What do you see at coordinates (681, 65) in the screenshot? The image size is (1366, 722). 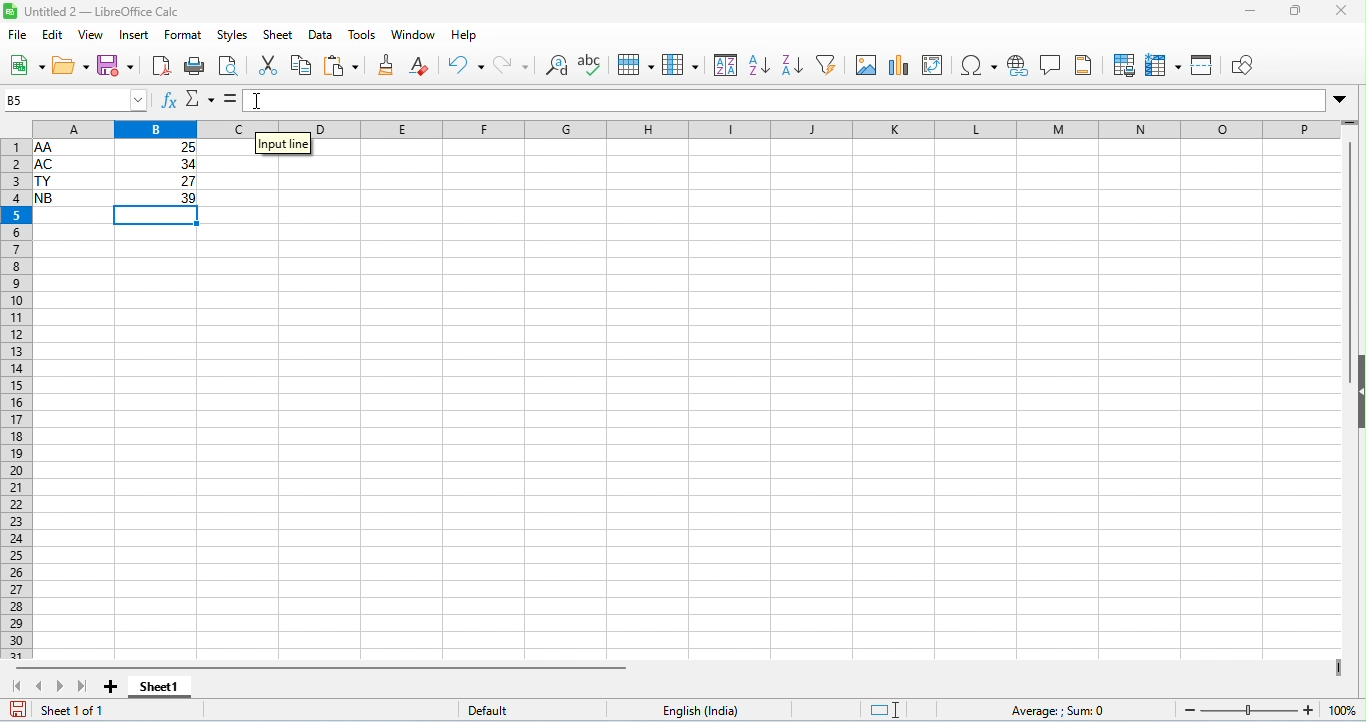 I see `column` at bounding box center [681, 65].